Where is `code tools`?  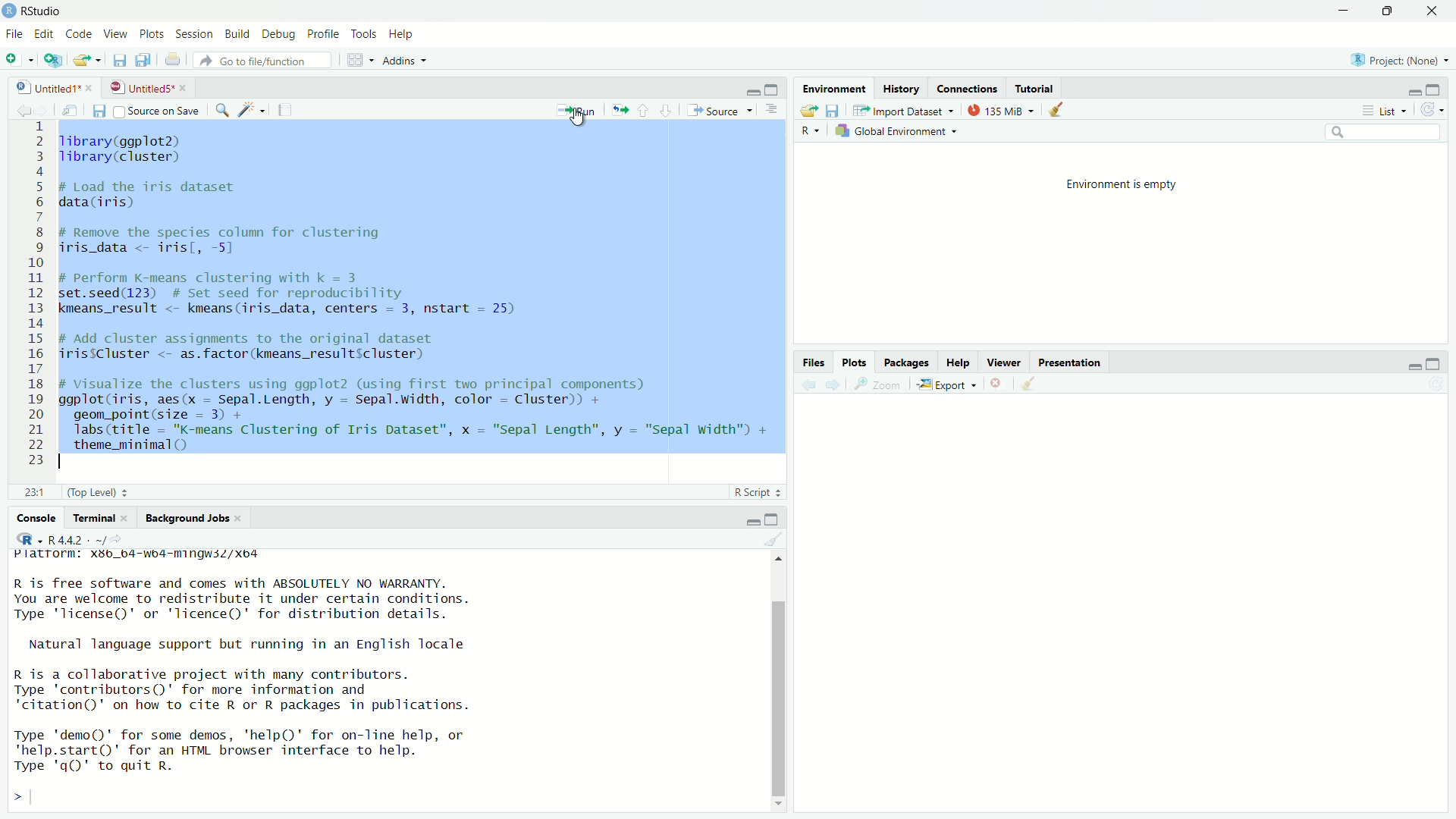
code tools is located at coordinates (250, 110).